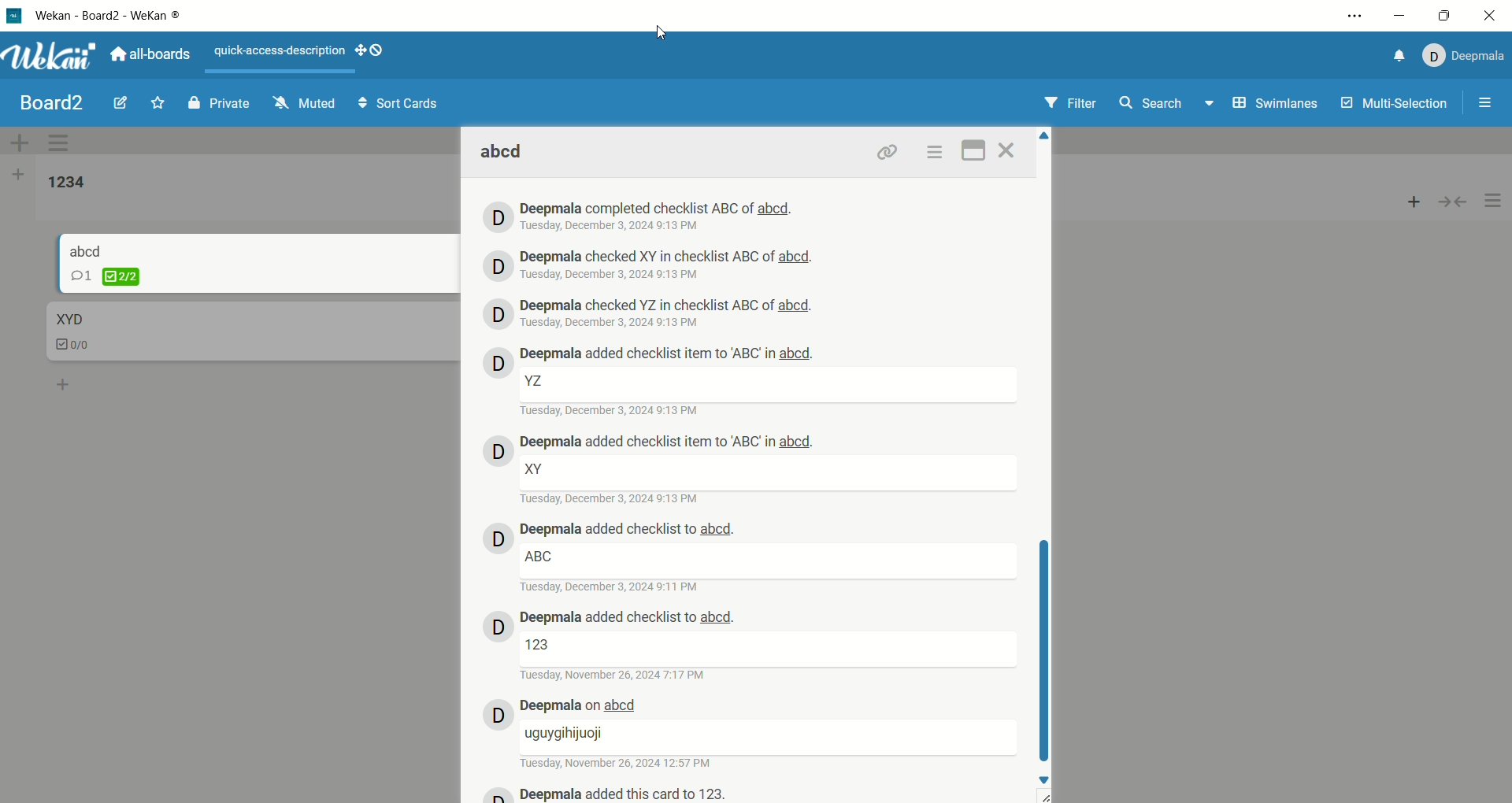 This screenshot has height=803, width=1512. Describe the element at coordinates (20, 142) in the screenshot. I see `add swimlane` at that location.